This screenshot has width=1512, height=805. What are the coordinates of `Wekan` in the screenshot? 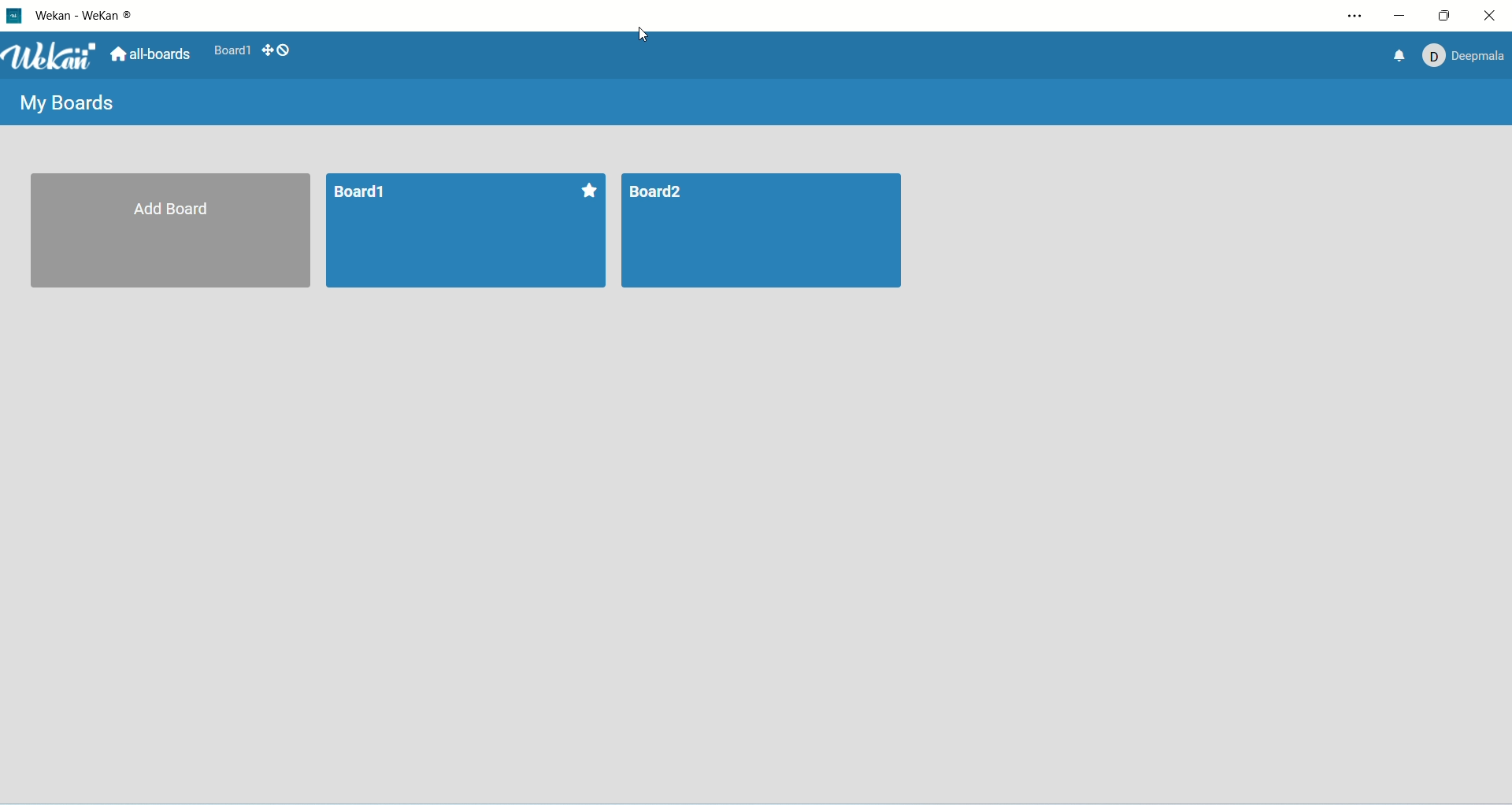 It's located at (52, 57).